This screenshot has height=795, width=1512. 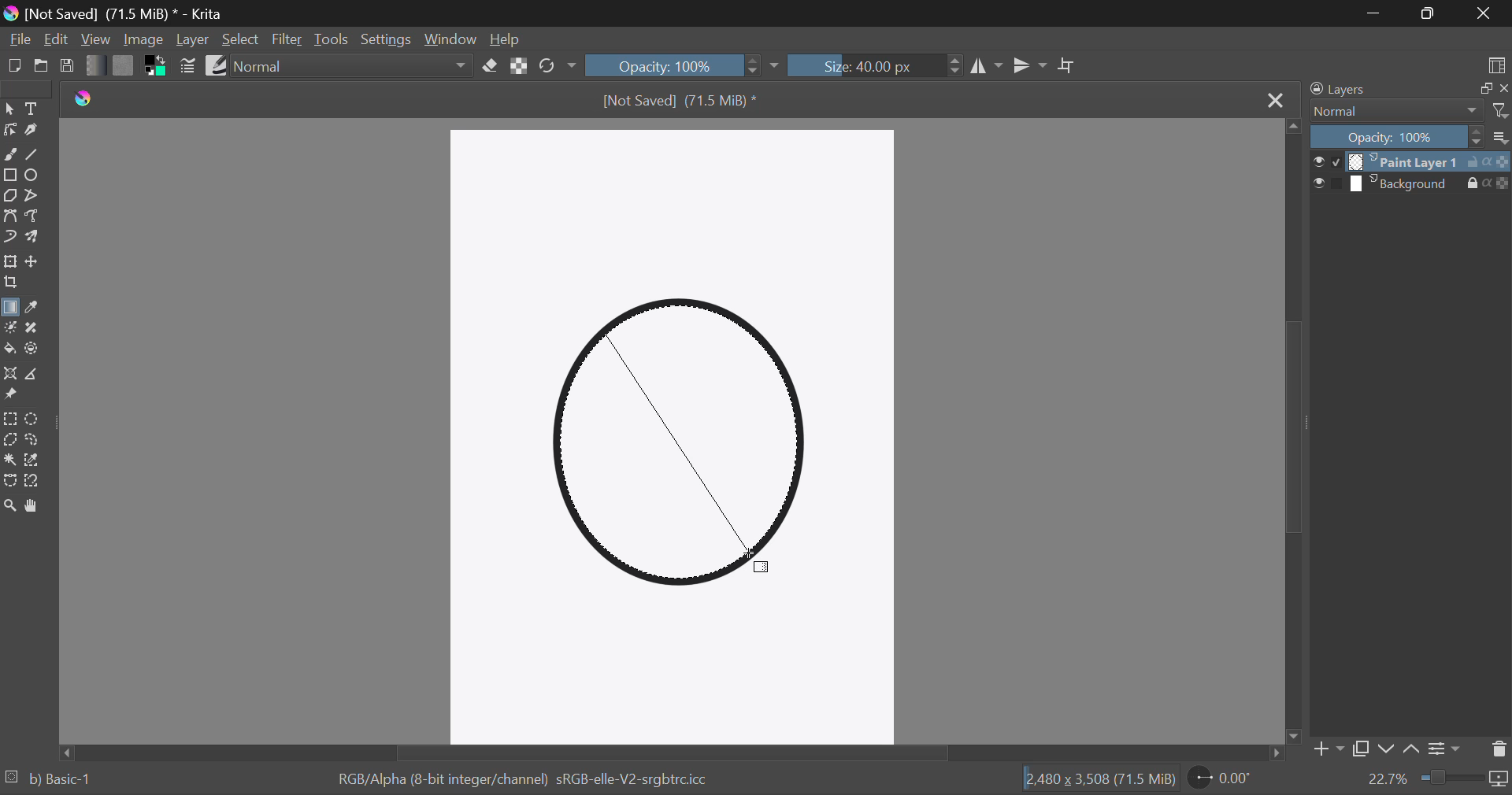 I want to click on Shape Selected, so click(x=676, y=449).